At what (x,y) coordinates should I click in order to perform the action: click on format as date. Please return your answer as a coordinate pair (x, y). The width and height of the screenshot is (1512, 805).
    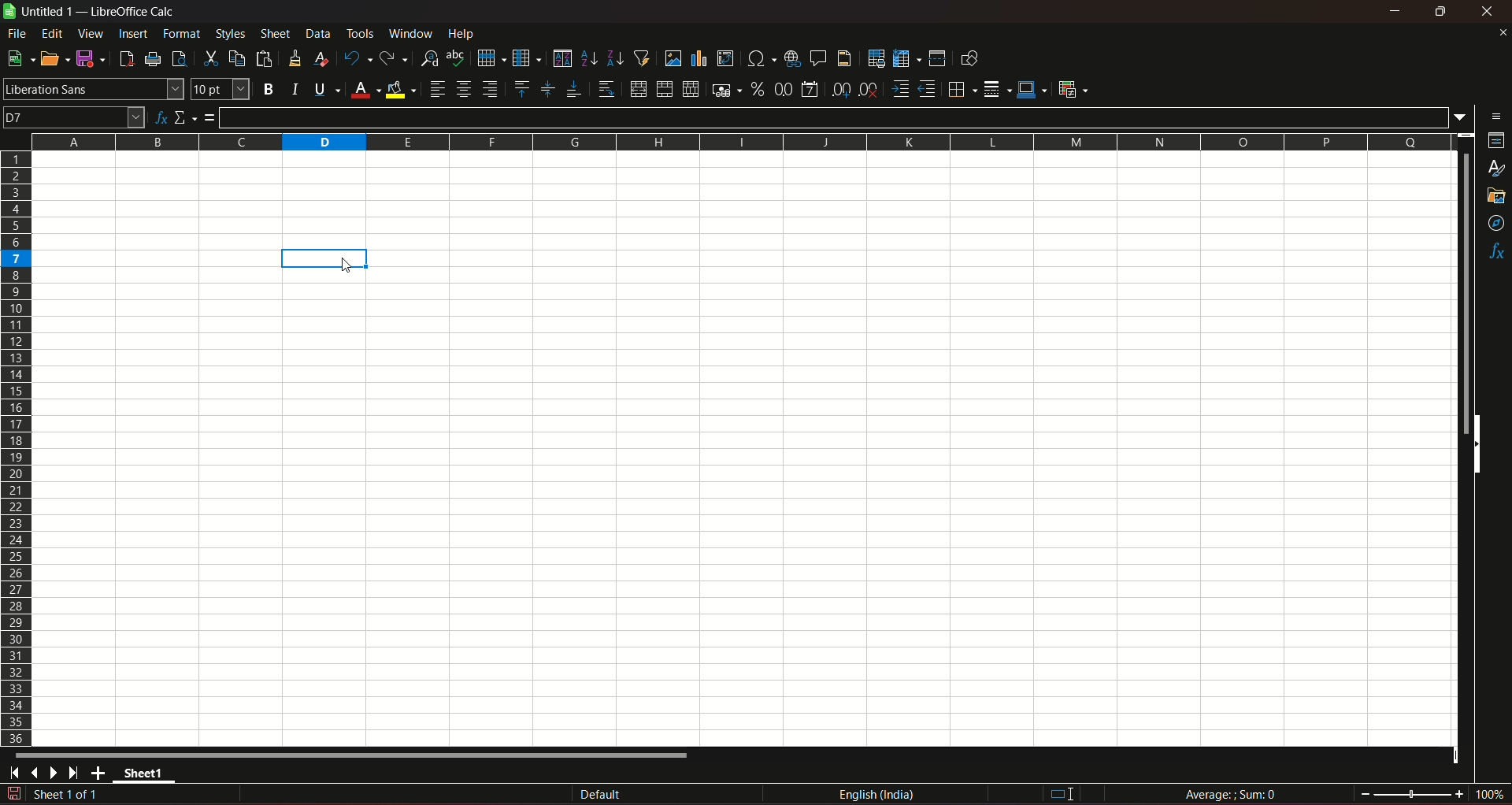
    Looking at the image, I should click on (810, 91).